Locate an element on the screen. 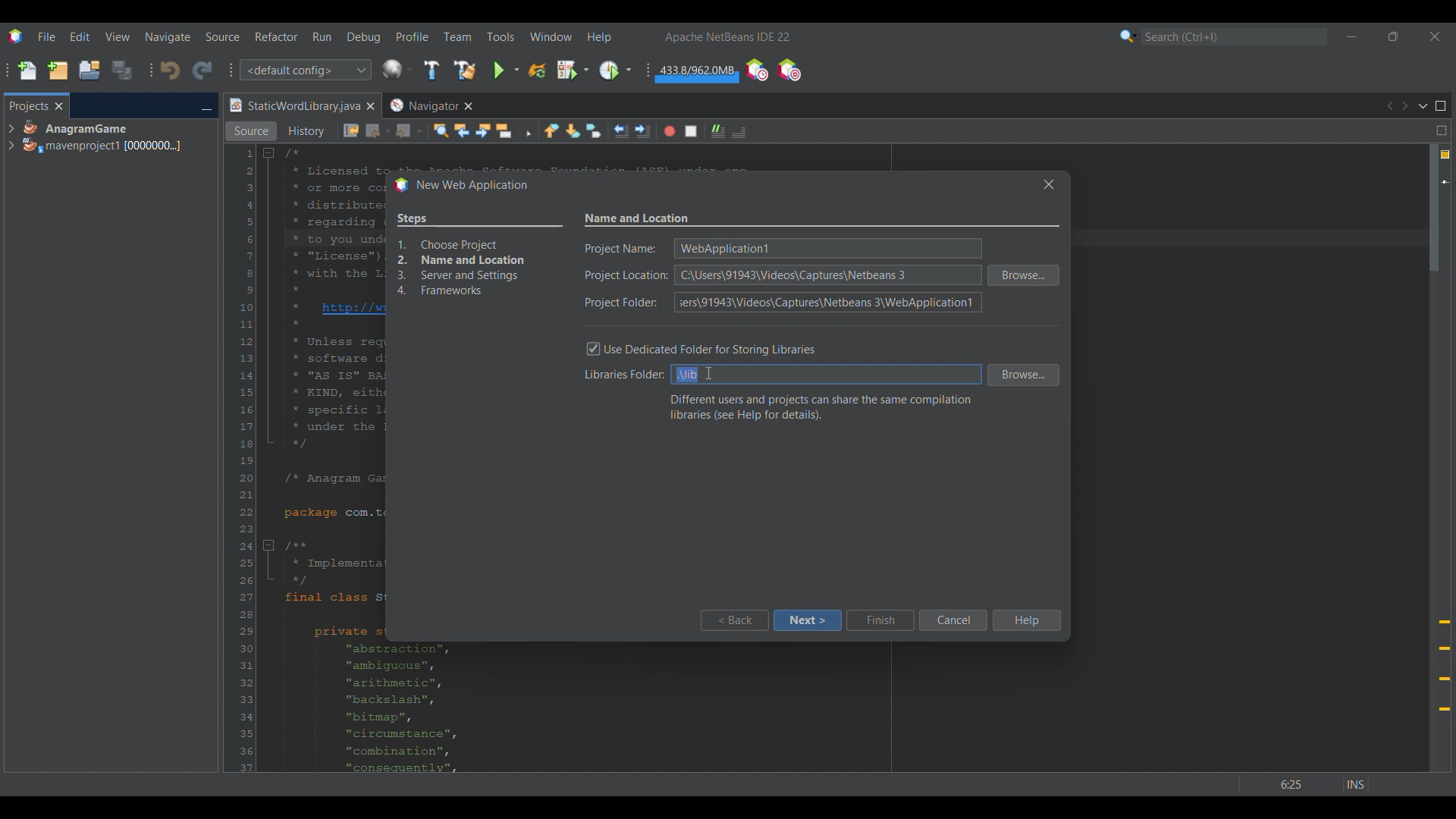  Next bookmark is located at coordinates (573, 131).